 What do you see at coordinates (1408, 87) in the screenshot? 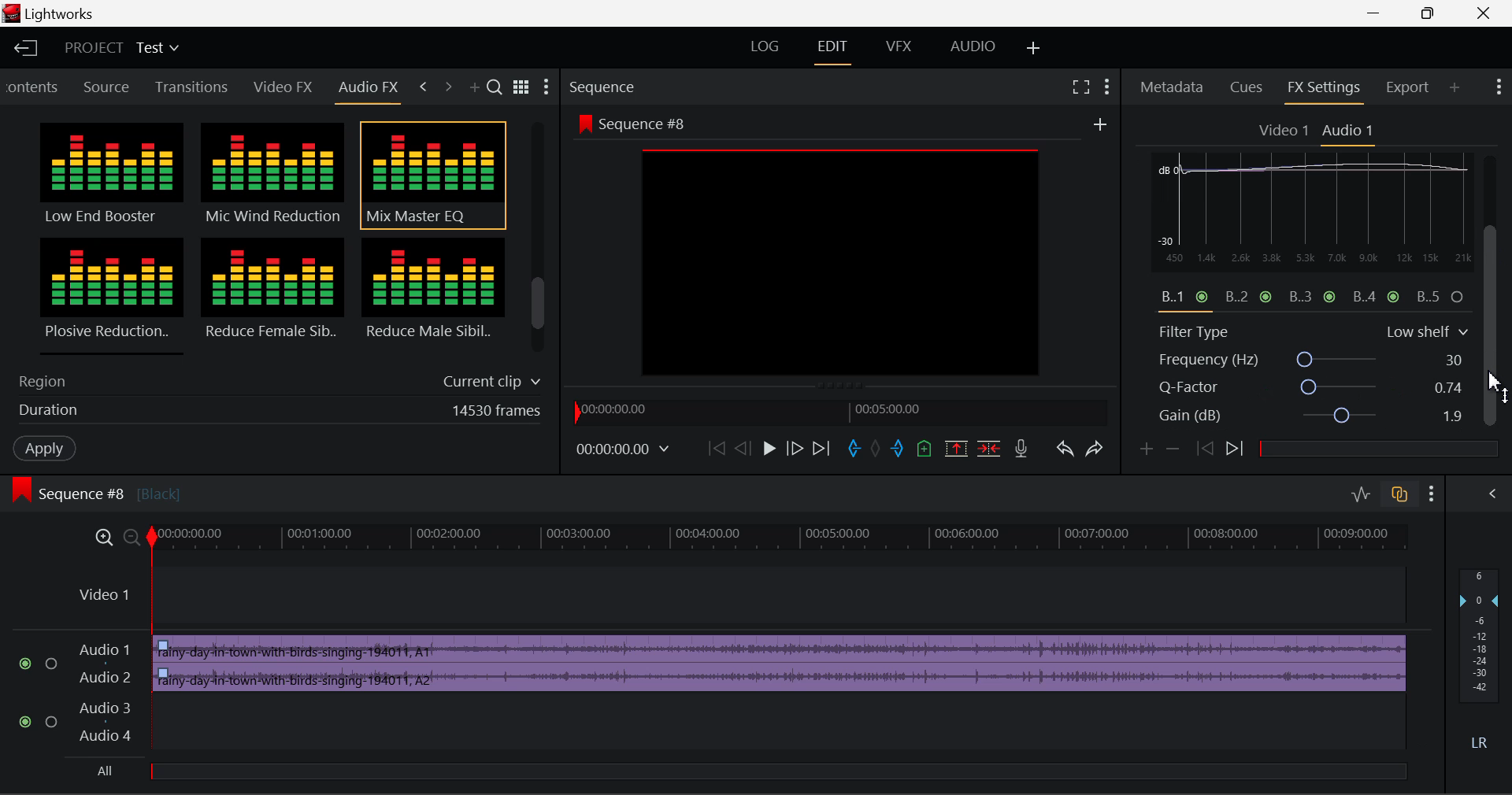
I see `Export` at bounding box center [1408, 87].